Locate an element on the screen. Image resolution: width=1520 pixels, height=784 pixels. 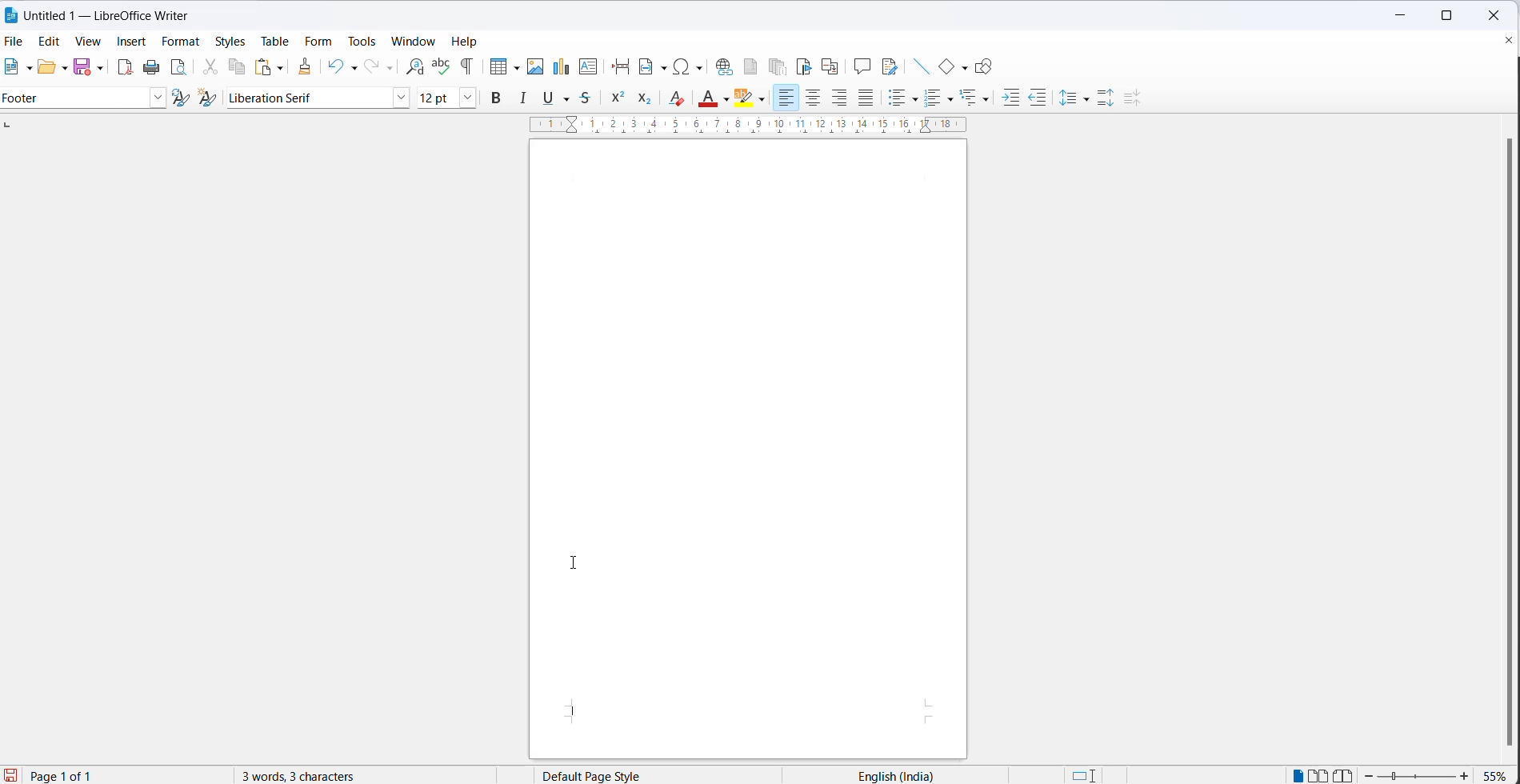
new file is located at coordinates (12, 68).